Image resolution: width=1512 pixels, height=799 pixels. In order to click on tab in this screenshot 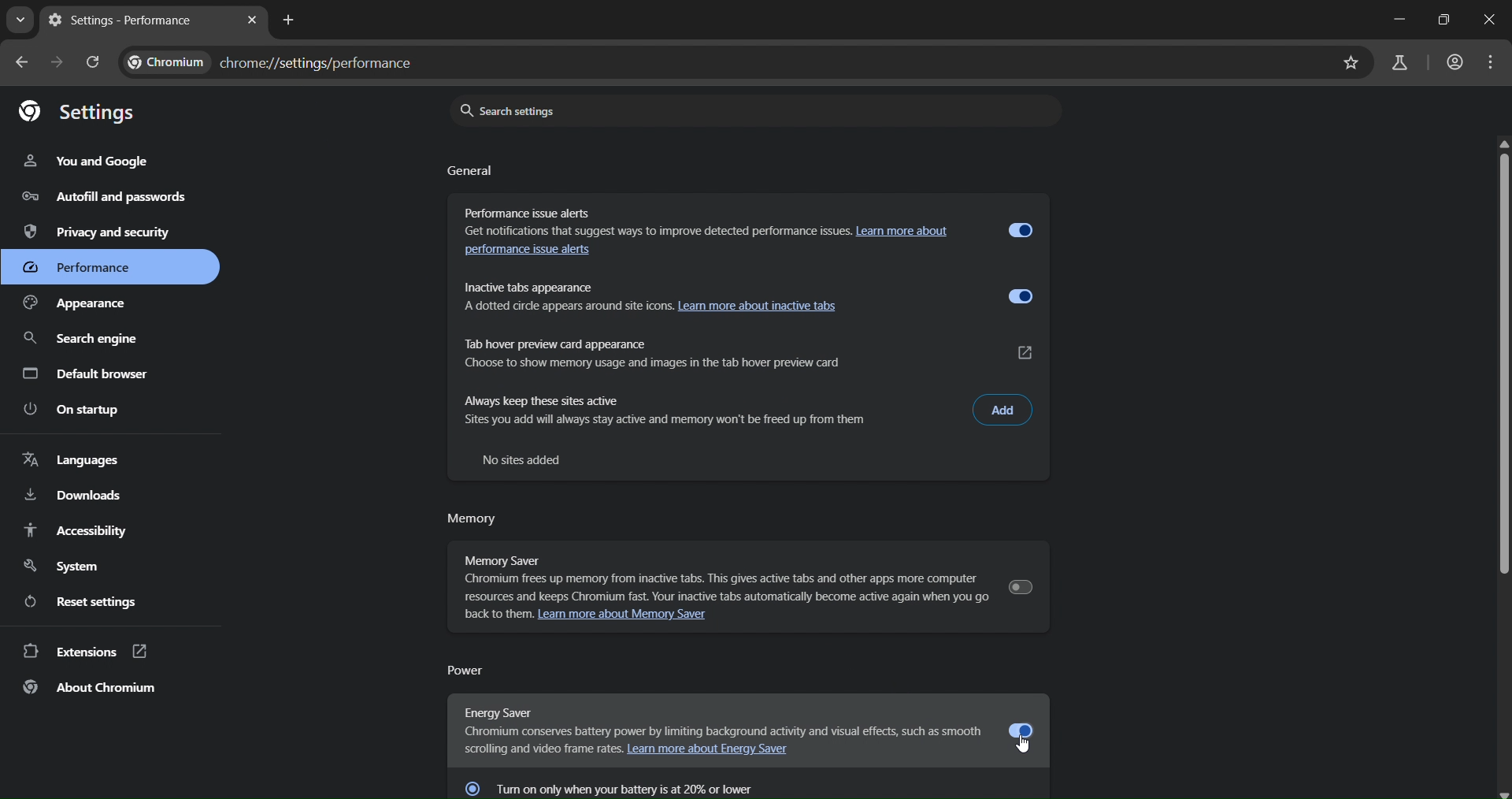, I will do `click(136, 21)`.